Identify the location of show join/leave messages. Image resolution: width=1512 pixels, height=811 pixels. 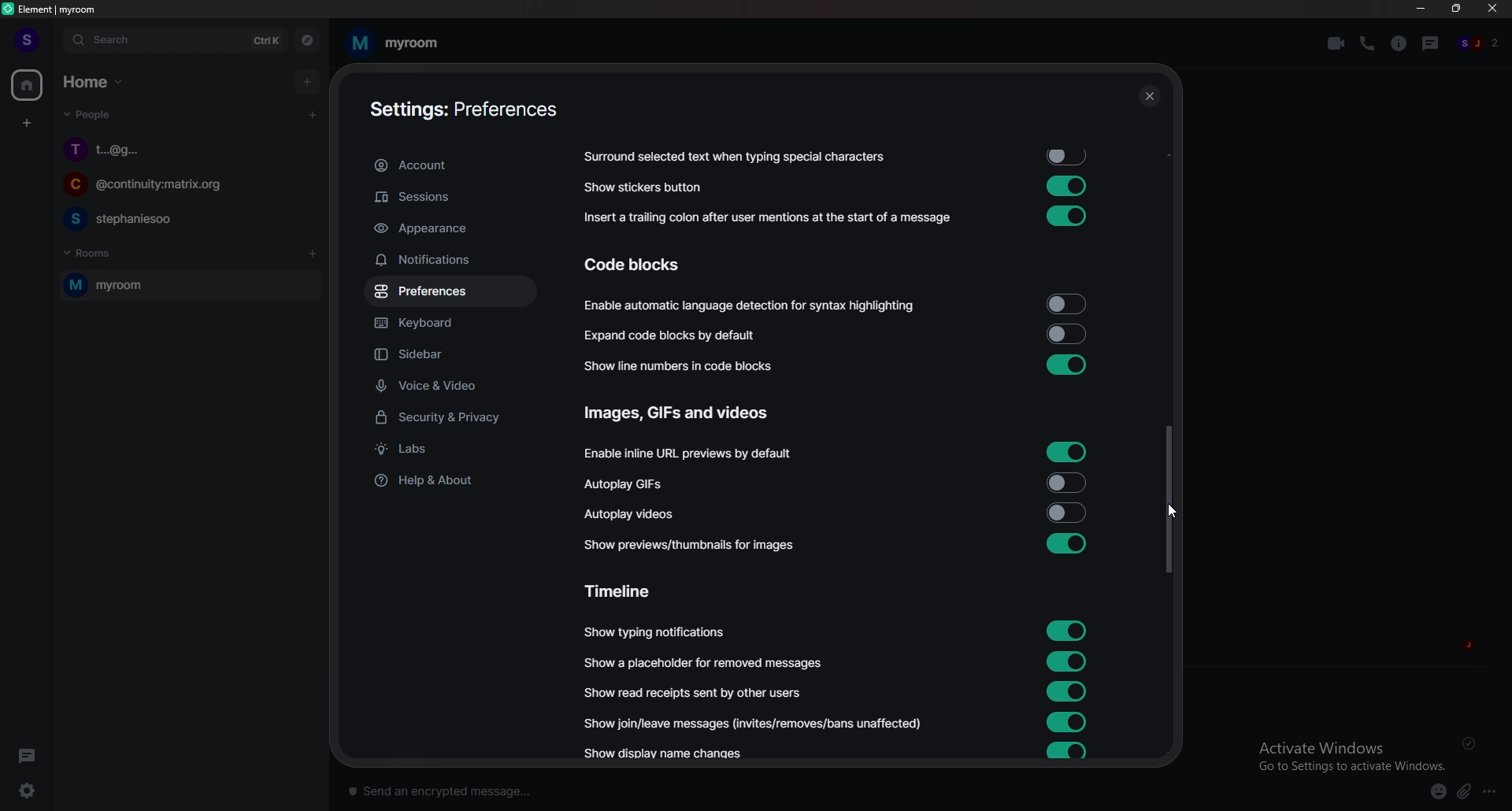
(757, 722).